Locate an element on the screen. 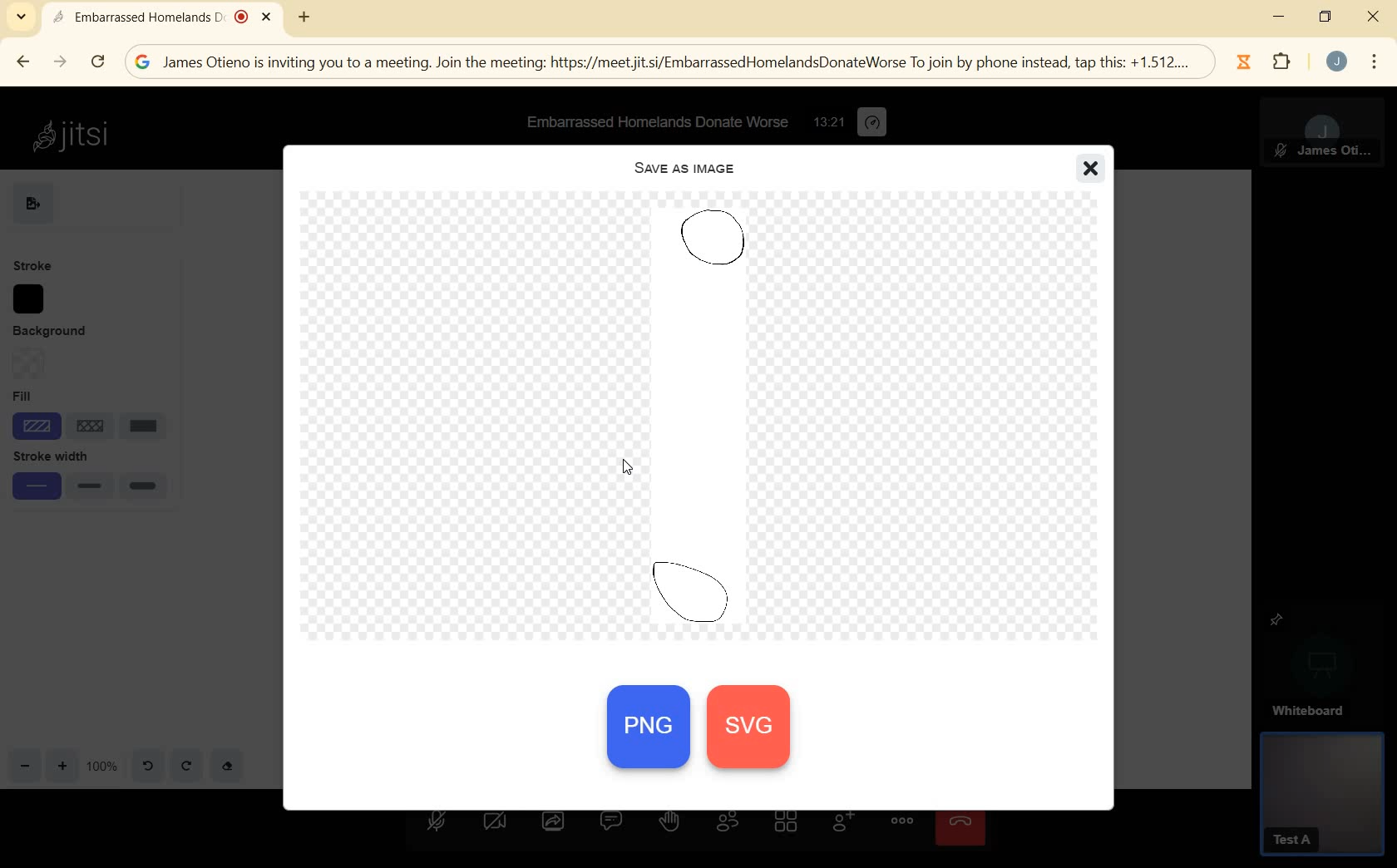 The image size is (1397, 868). restore down is located at coordinates (1325, 19).